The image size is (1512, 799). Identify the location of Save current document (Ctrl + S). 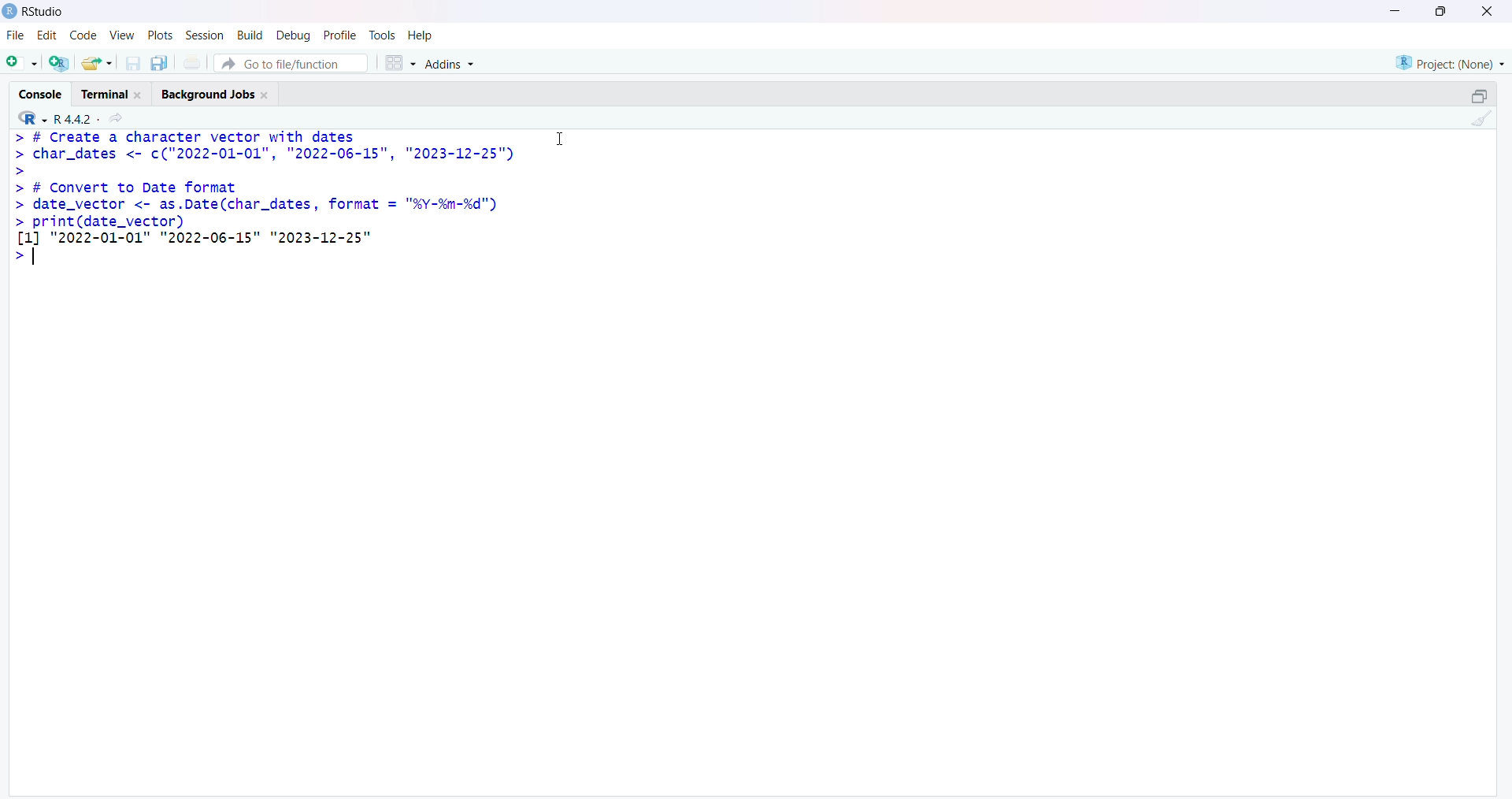
(136, 60).